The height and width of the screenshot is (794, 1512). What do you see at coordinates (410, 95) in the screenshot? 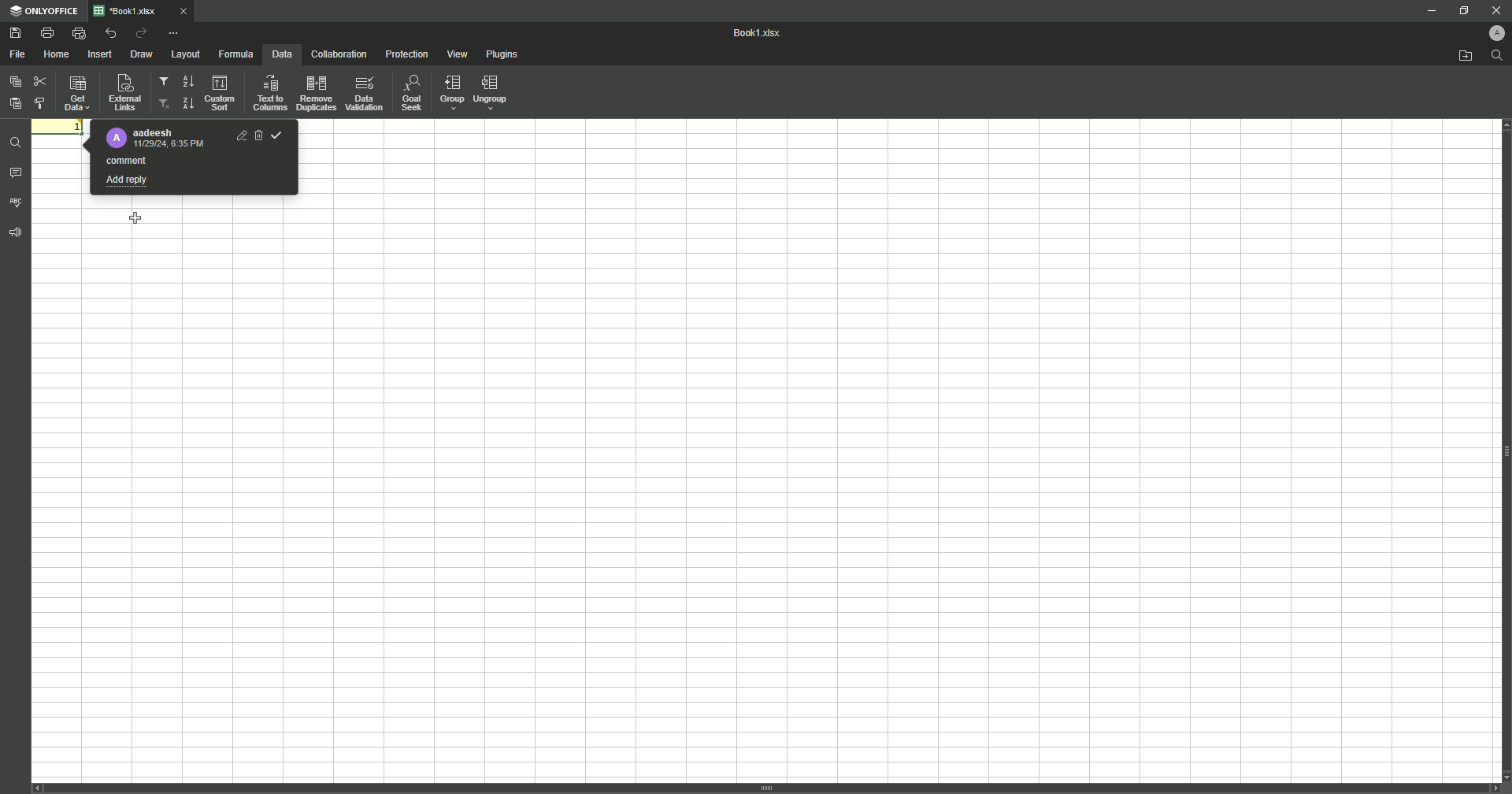
I see `Goal Seek` at bounding box center [410, 95].